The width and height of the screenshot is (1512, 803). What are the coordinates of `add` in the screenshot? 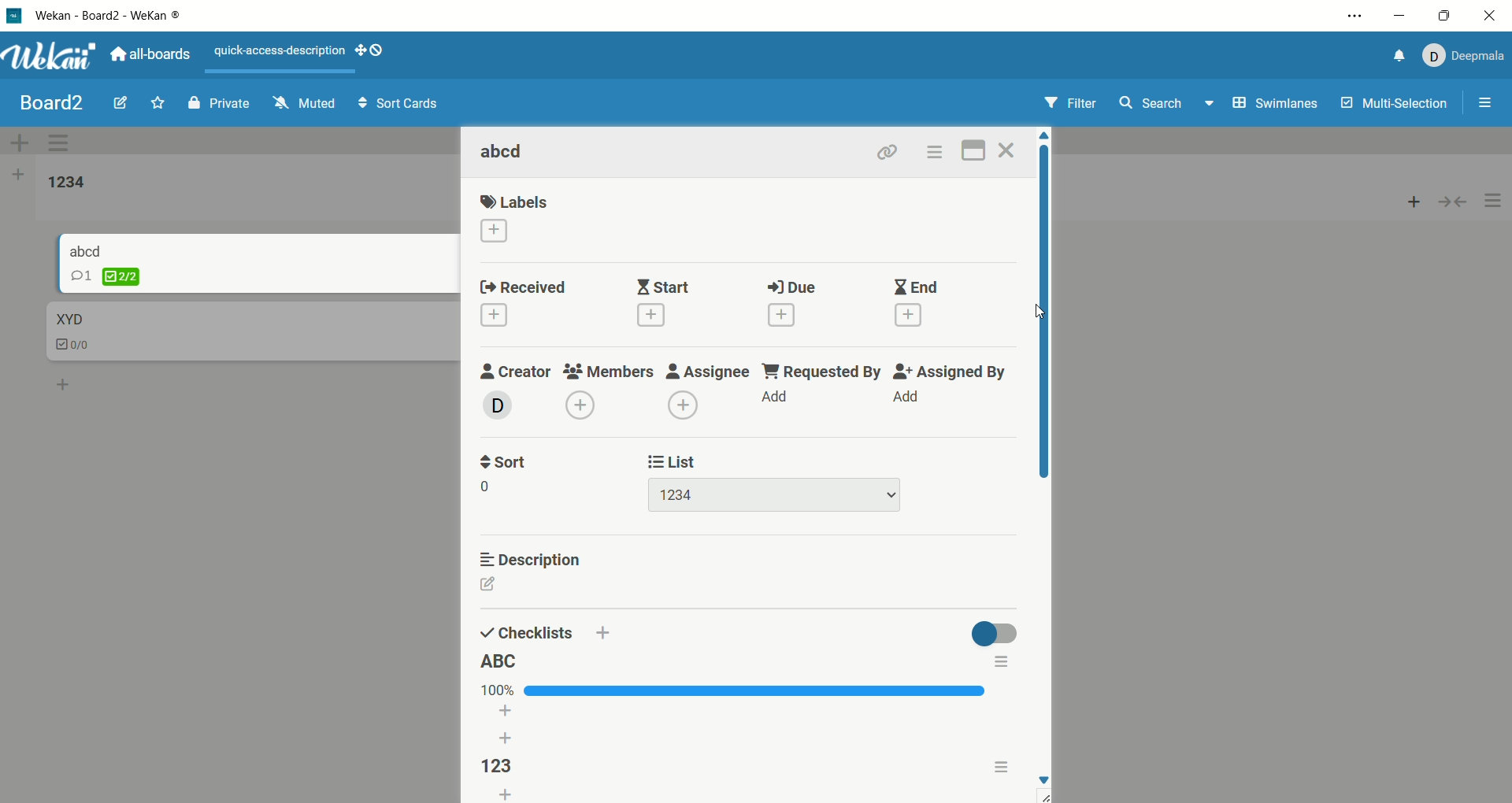 It's located at (506, 794).